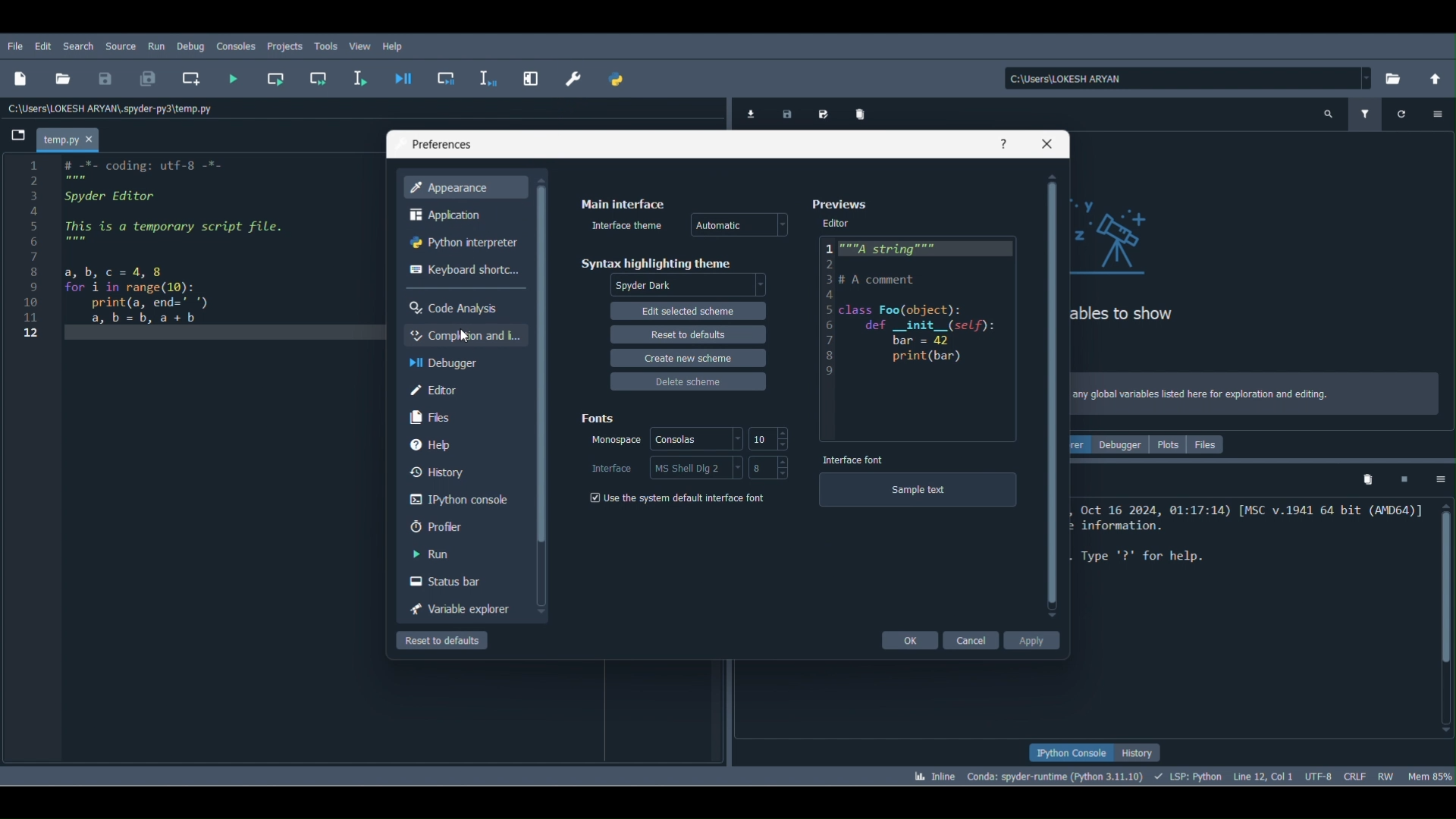  What do you see at coordinates (696, 439) in the screenshot?
I see `Style` at bounding box center [696, 439].